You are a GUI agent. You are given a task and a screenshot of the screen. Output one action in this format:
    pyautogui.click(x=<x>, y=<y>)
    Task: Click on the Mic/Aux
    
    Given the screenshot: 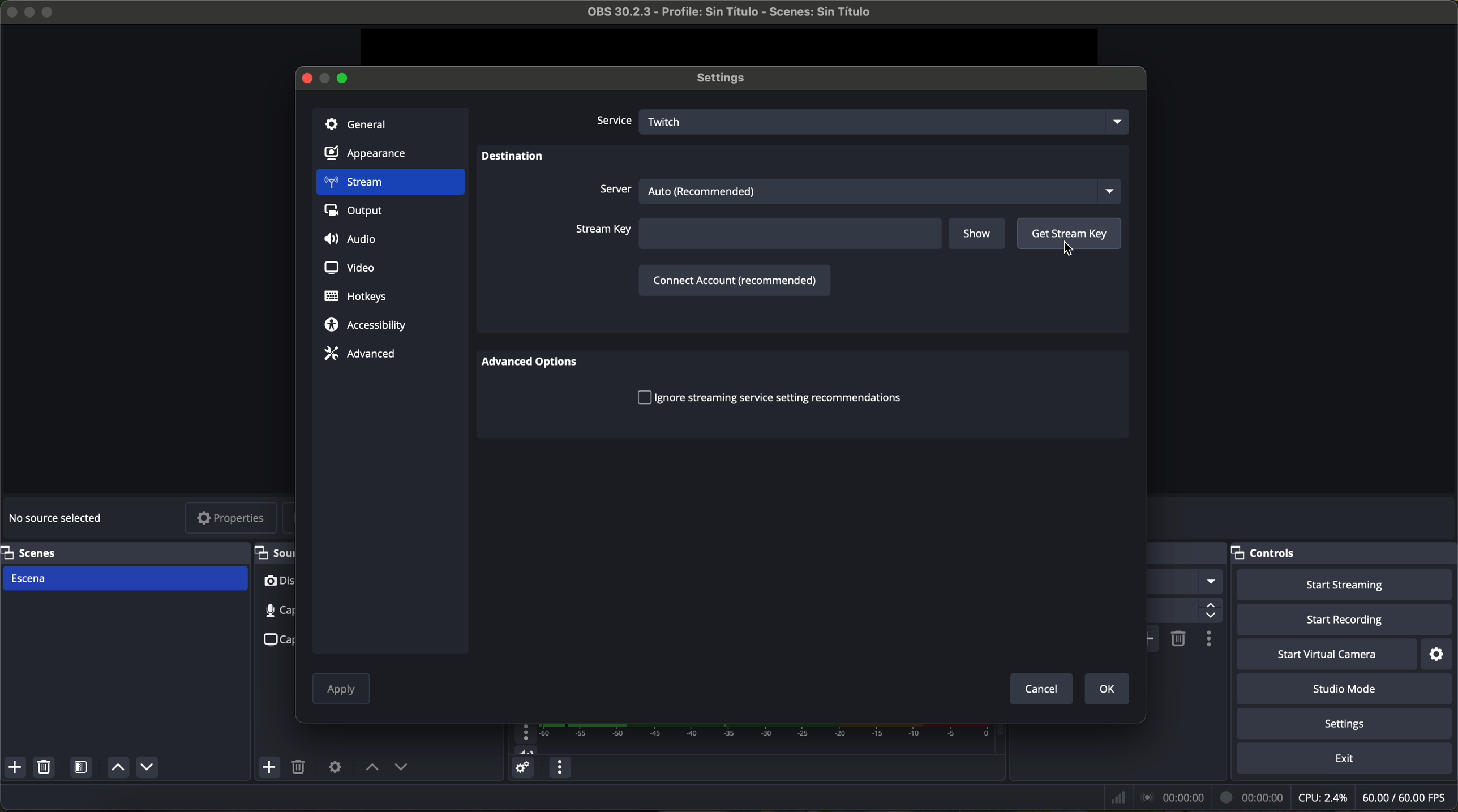 What is the action you would take?
    pyautogui.click(x=748, y=739)
    